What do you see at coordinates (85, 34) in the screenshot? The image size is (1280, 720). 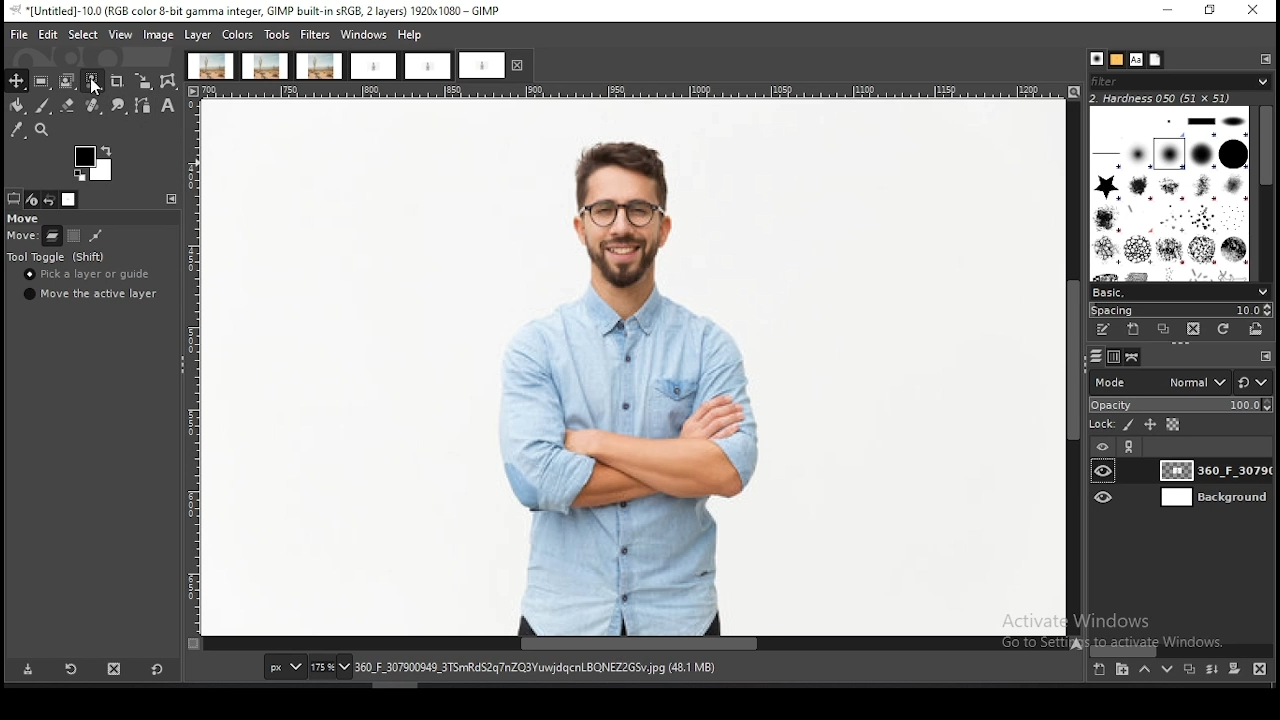 I see `select` at bounding box center [85, 34].